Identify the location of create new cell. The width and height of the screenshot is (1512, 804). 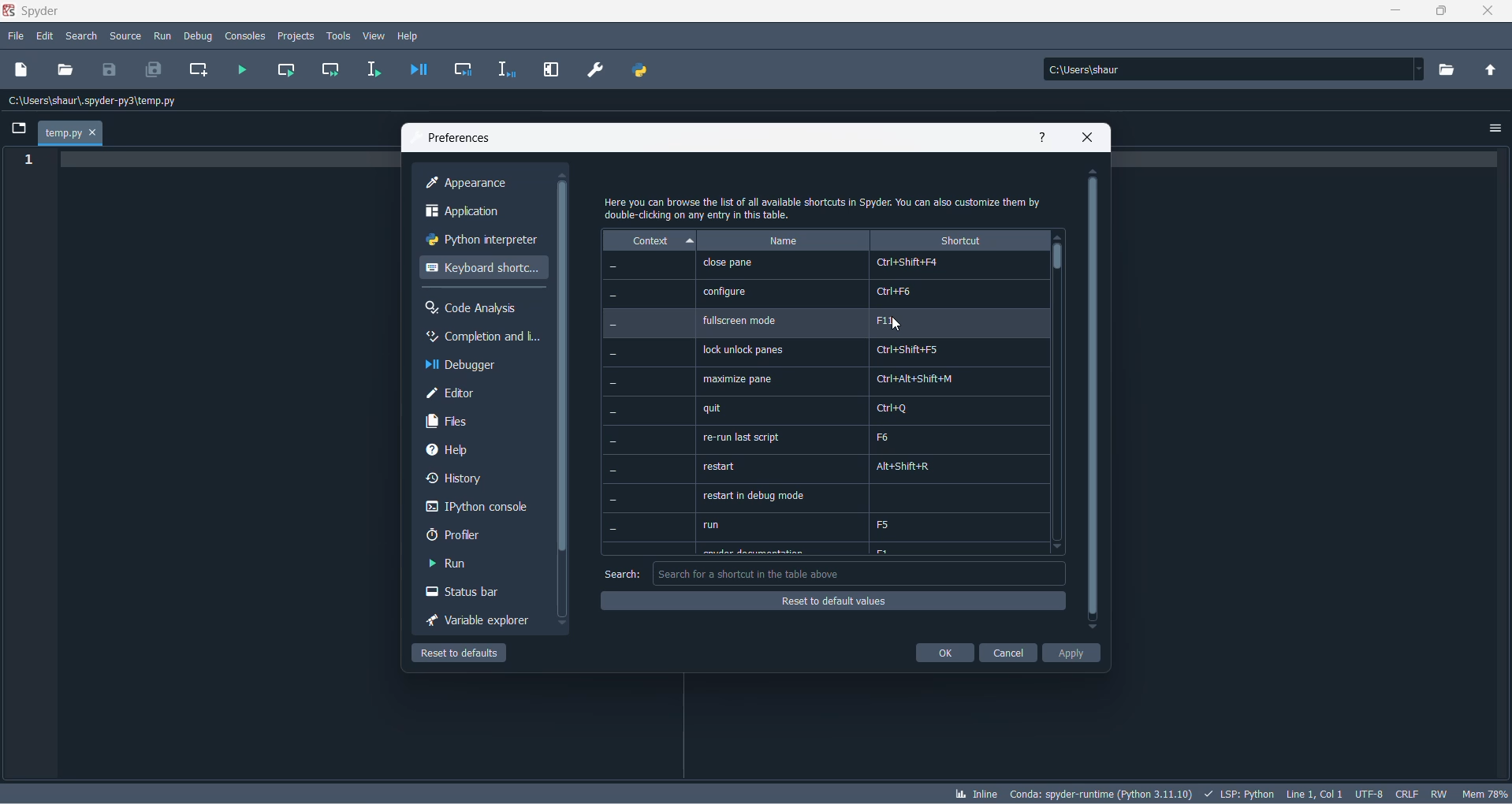
(196, 70).